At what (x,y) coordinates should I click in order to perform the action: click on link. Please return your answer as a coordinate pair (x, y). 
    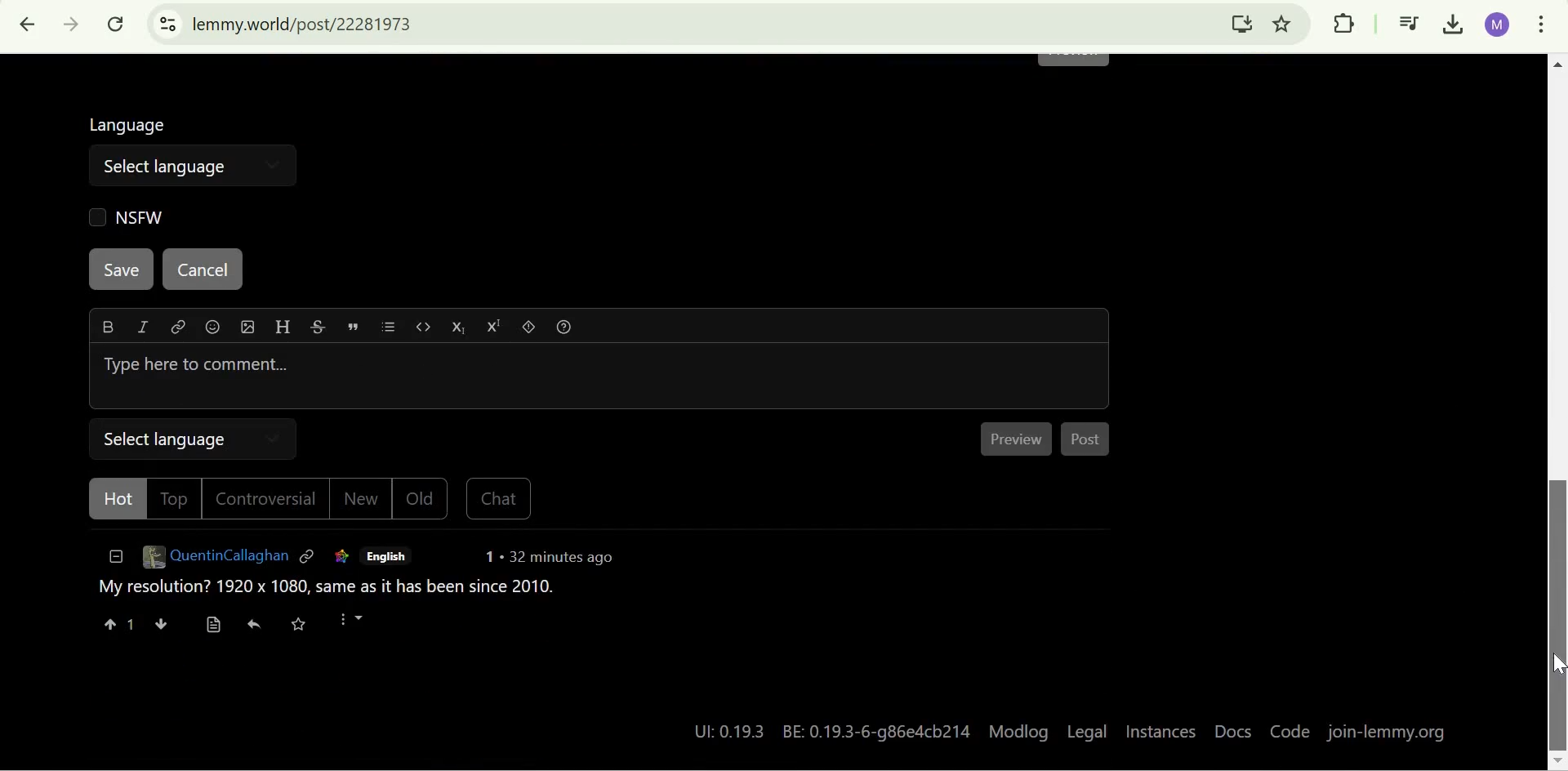
    Looking at the image, I should click on (339, 558).